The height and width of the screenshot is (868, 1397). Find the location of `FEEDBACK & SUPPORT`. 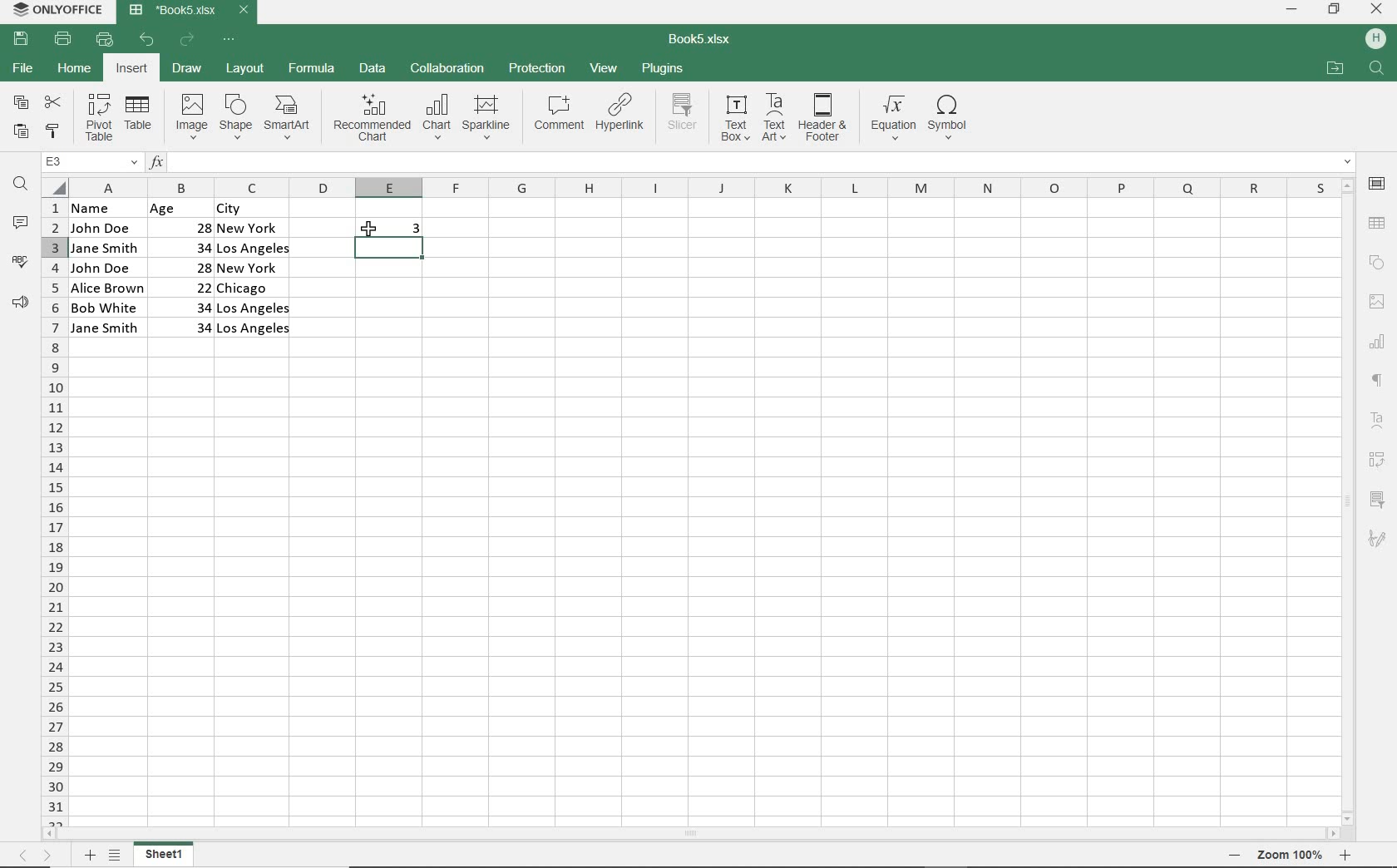

FEEDBACK & SUPPORT is located at coordinates (20, 303).